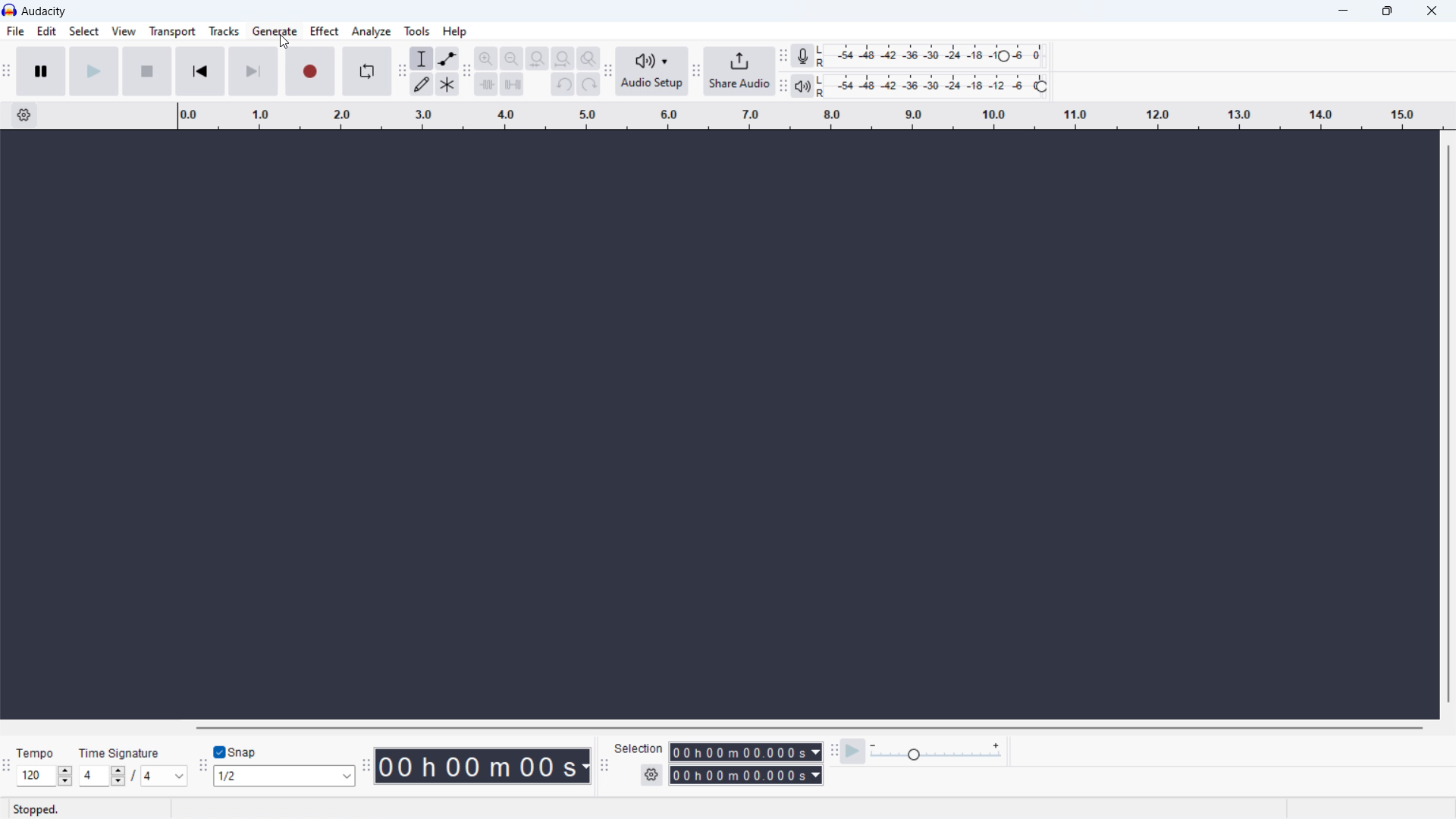 The width and height of the screenshot is (1456, 819). What do you see at coordinates (41, 71) in the screenshot?
I see `pause` at bounding box center [41, 71].